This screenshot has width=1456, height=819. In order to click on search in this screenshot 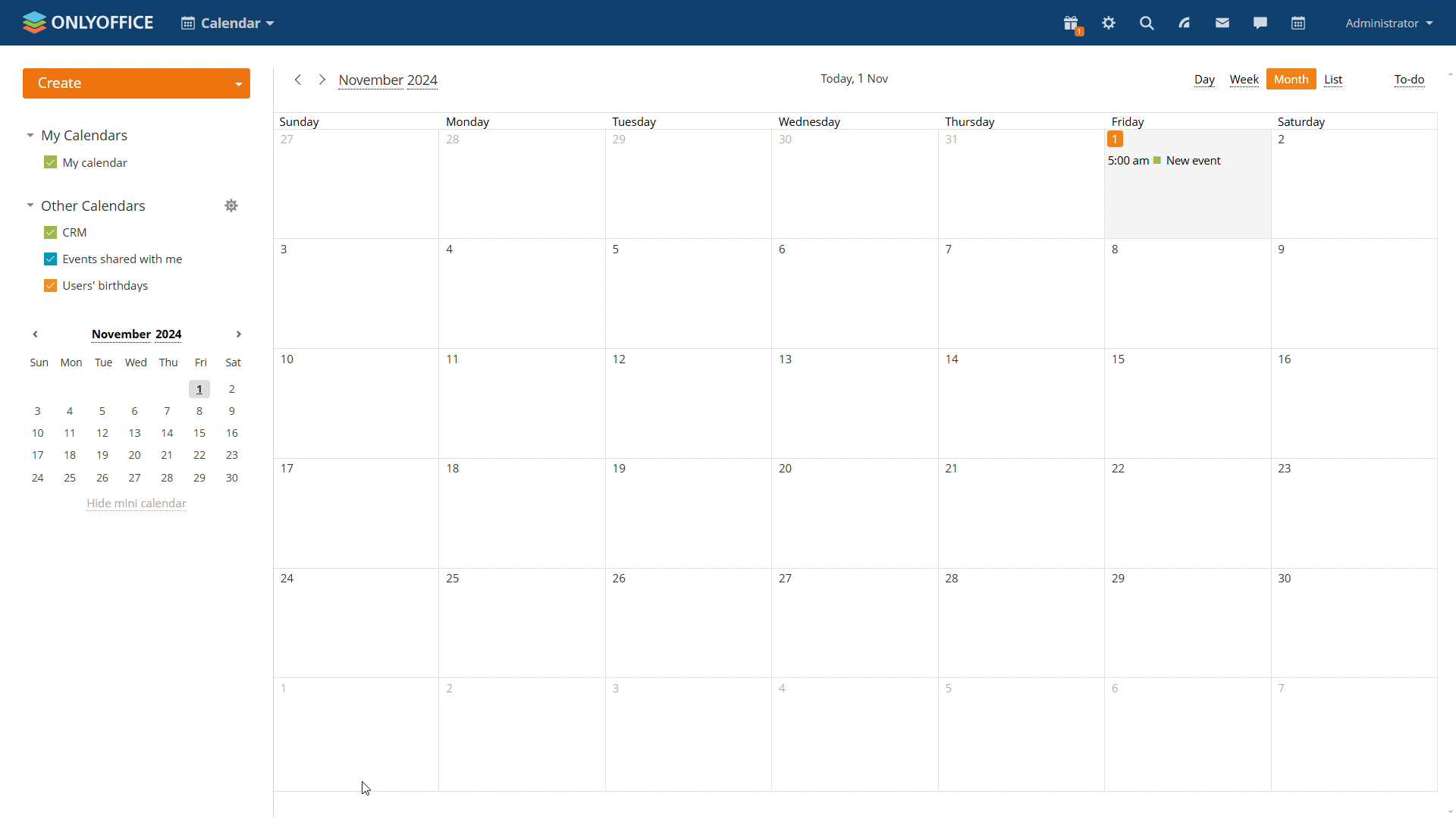, I will do `click(1146, 24)`.